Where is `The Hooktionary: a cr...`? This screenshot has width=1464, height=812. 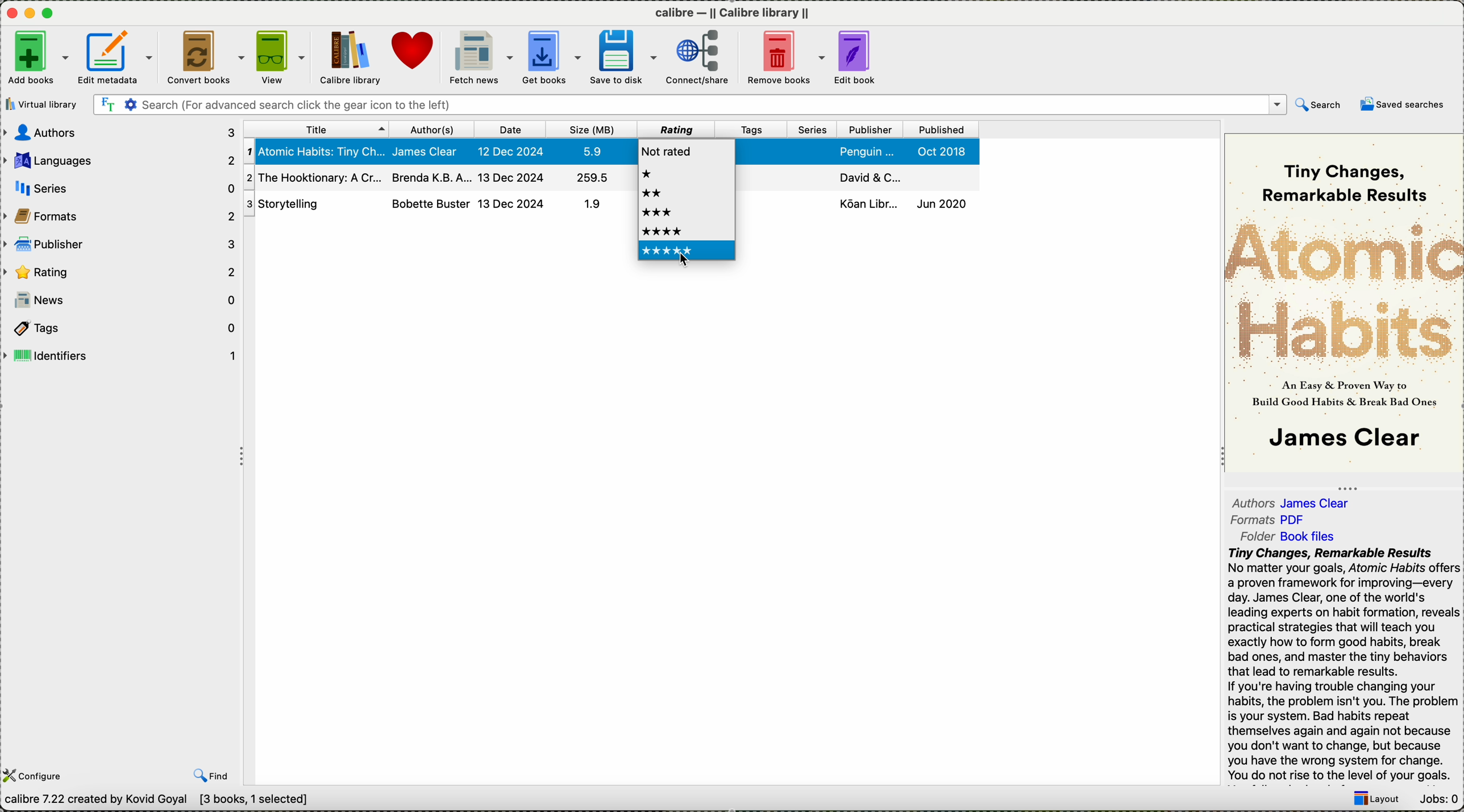 The Hooktionary: a cr... is located at coordinates (313, 178).